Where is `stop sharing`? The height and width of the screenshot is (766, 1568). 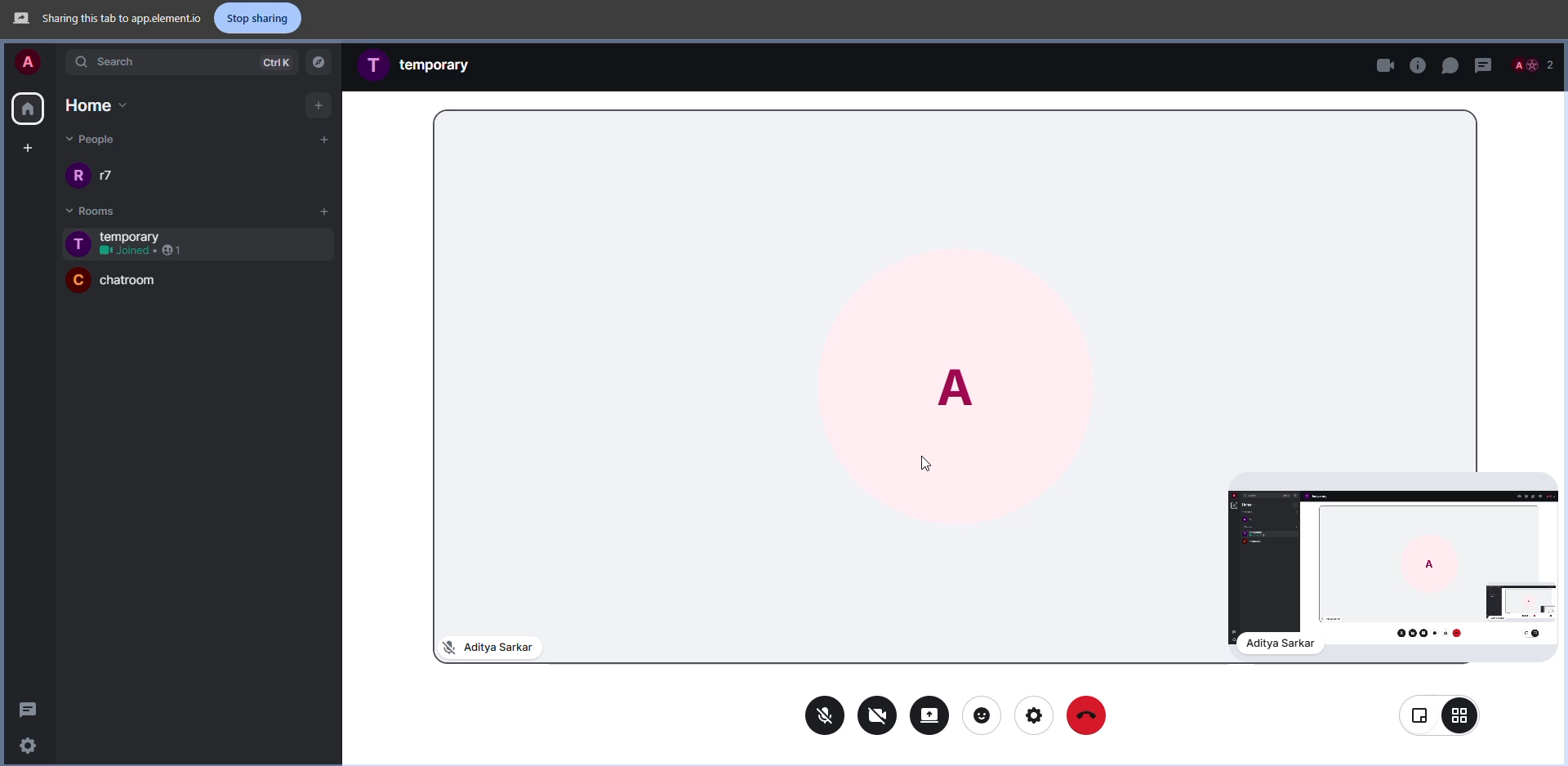 stop sharing is located at coordinates (258, 18).